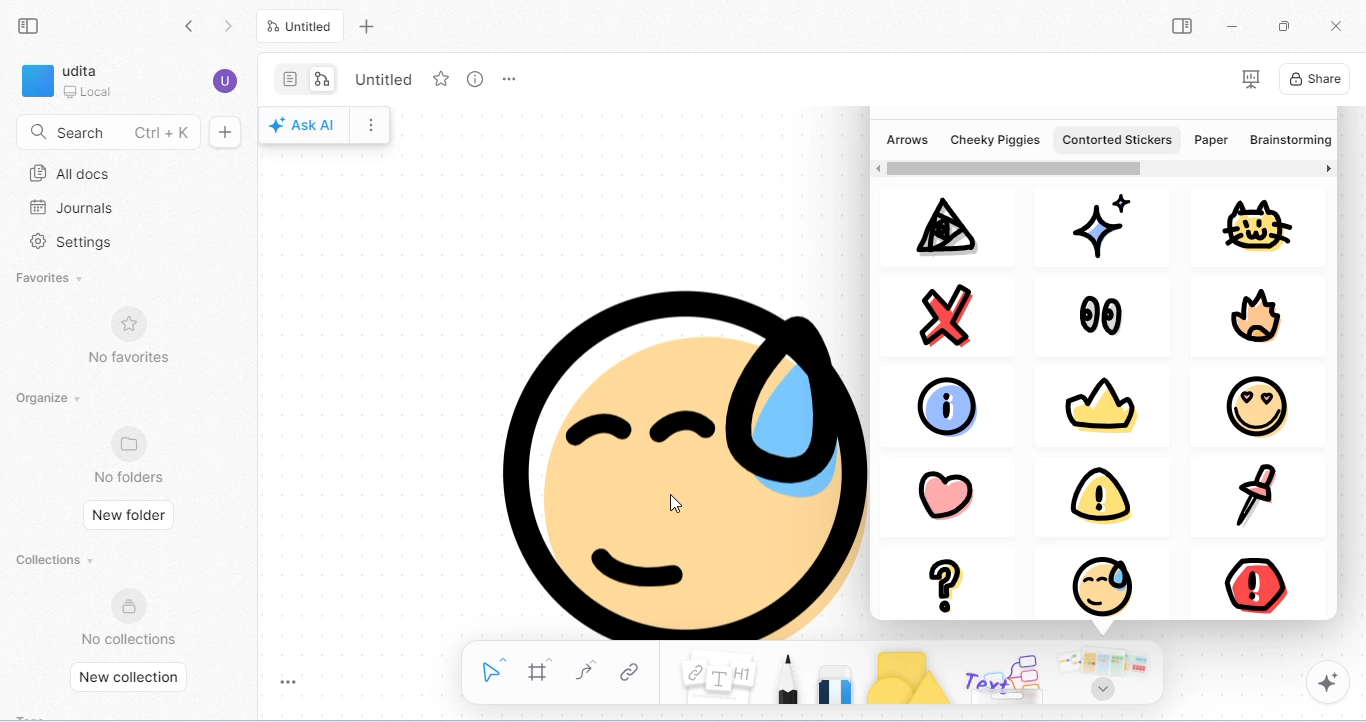  What do you see at coordinates (1252, 495) in the screenshot?
I see `pin` at bounding box center [1252, 495].